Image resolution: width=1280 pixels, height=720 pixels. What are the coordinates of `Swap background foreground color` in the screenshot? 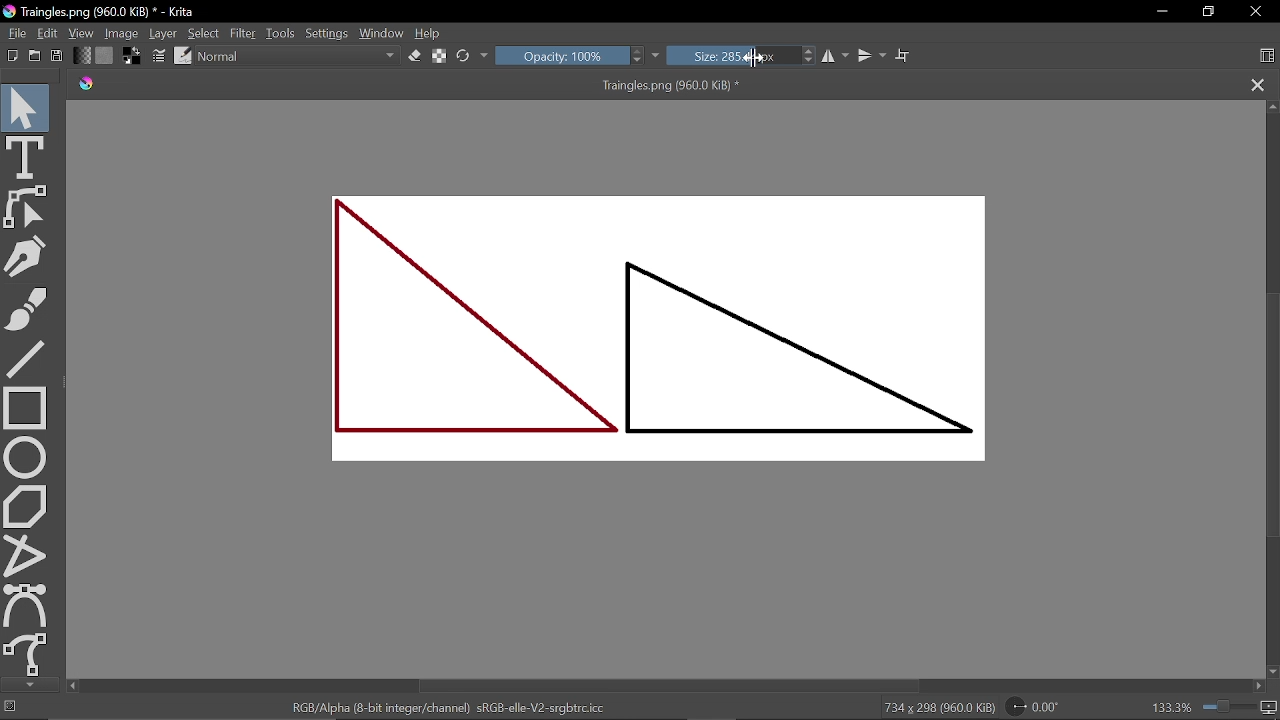 It's located at (129, 58).